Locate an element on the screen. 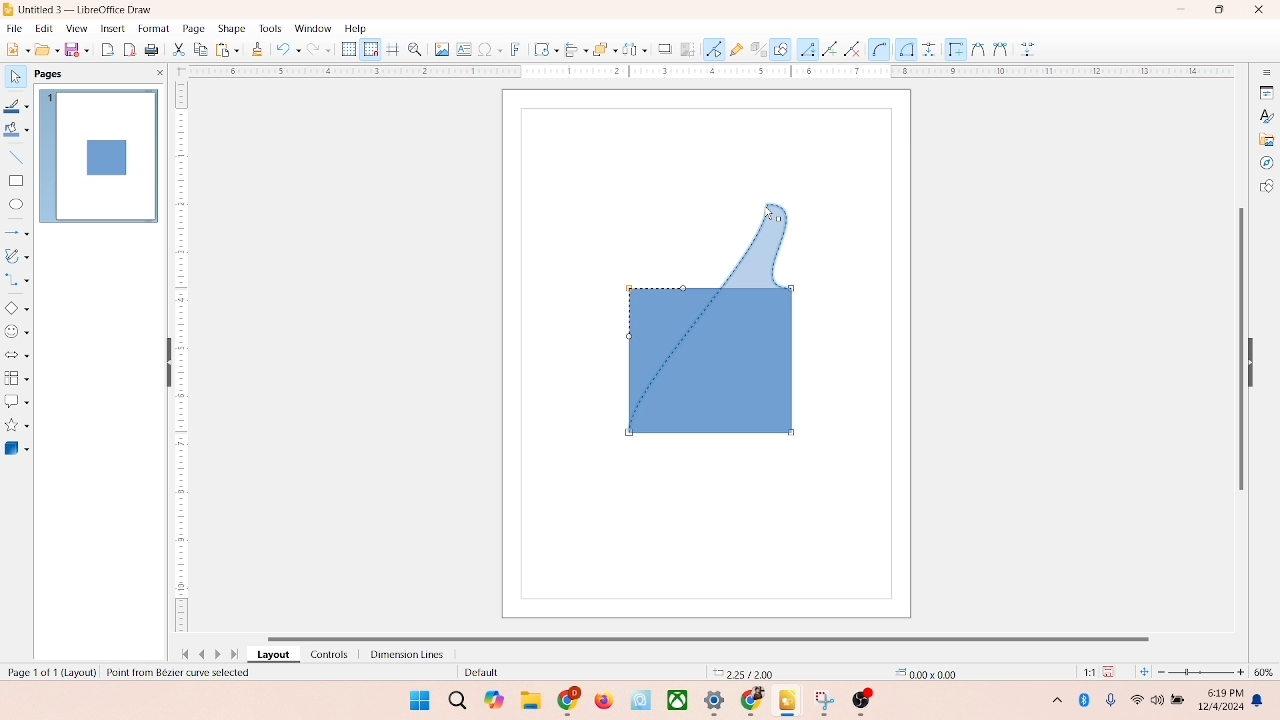 The width and height of the screenshot is (1280, 720). dimension lines is located at coordinates (402, 654).